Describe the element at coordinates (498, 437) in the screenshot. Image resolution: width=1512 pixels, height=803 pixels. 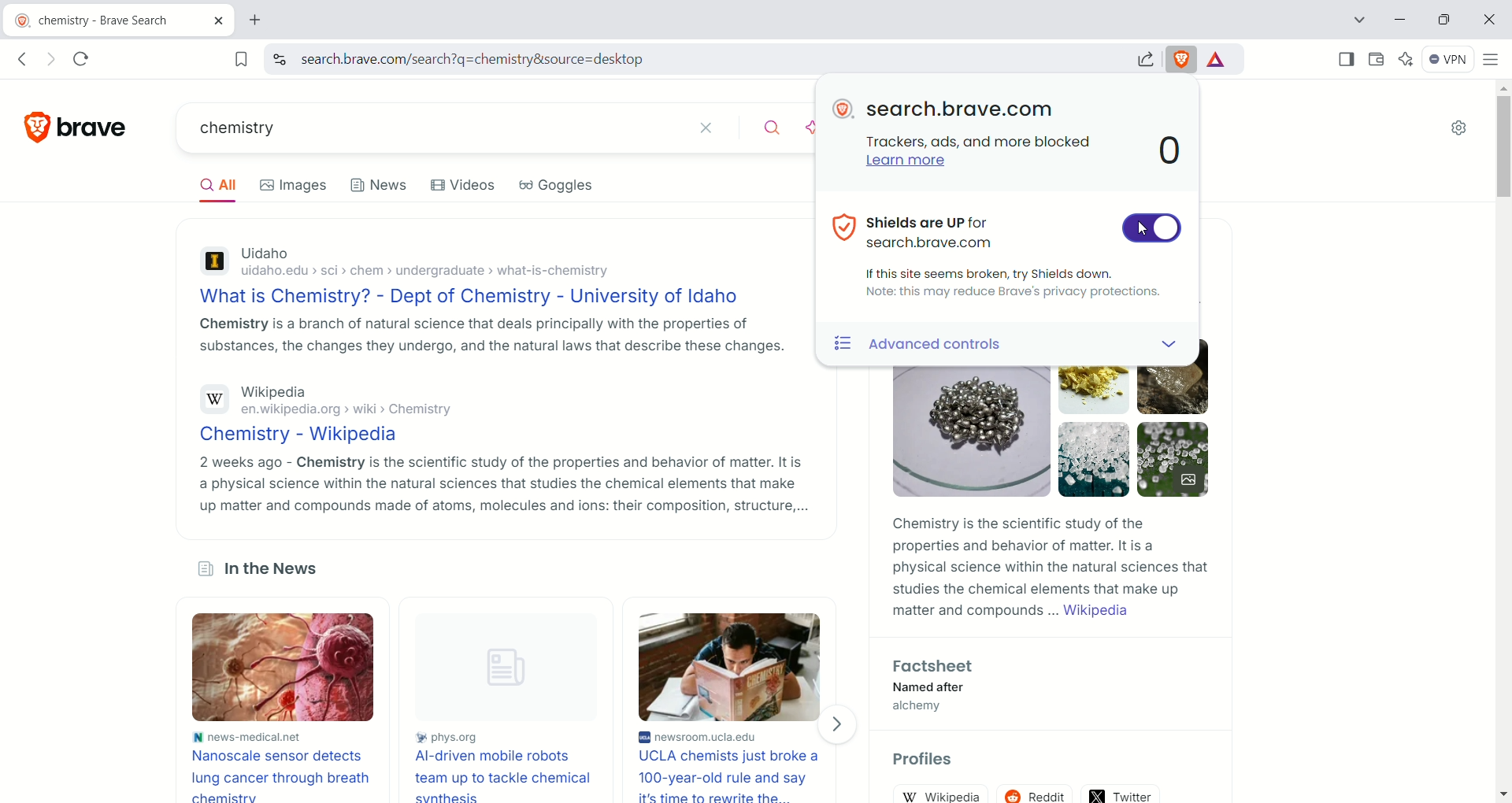
I see `Chemistry - Wikipedia` at that location.